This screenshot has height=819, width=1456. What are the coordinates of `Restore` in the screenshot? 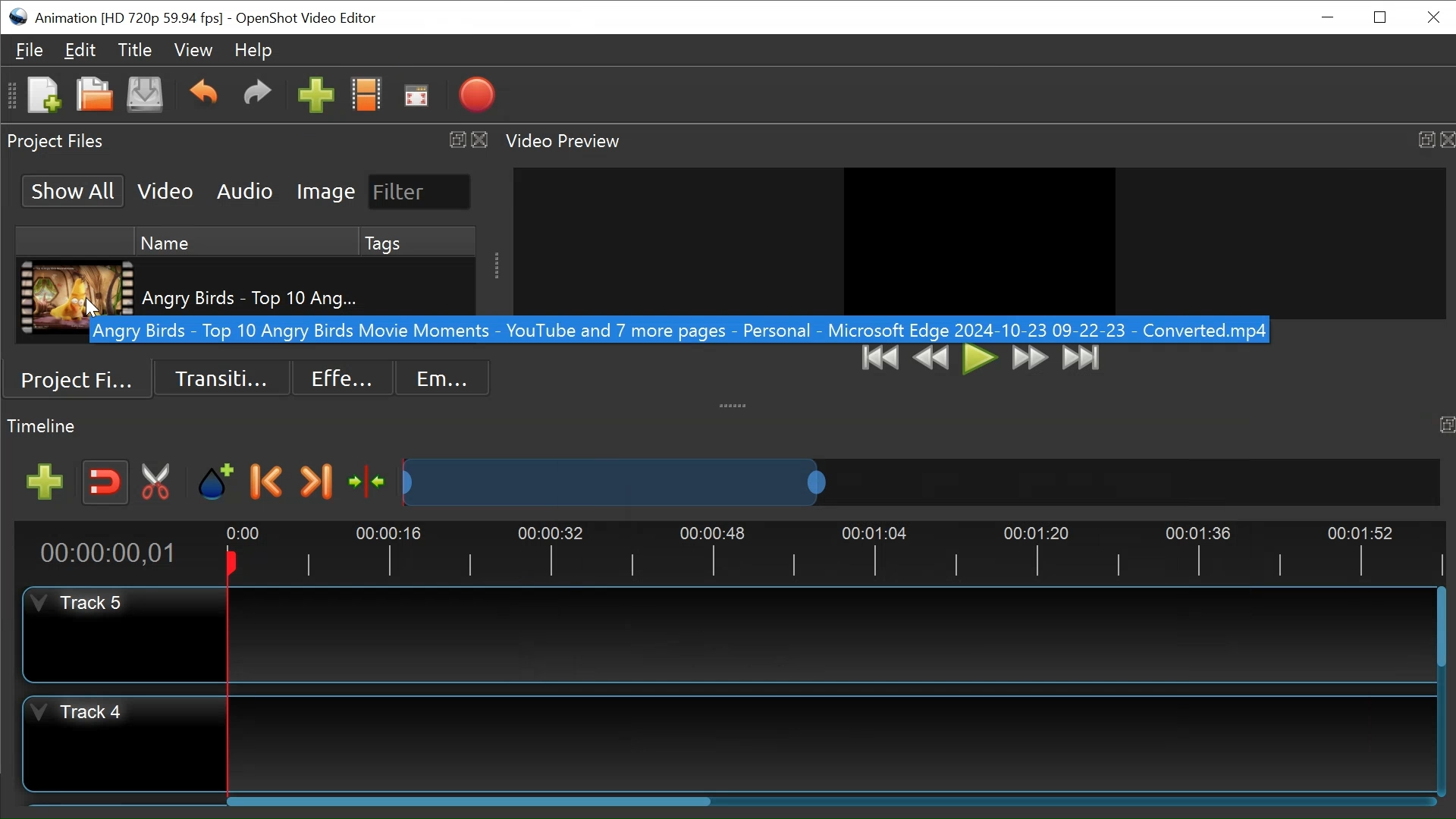 It's located at (1379, 17).